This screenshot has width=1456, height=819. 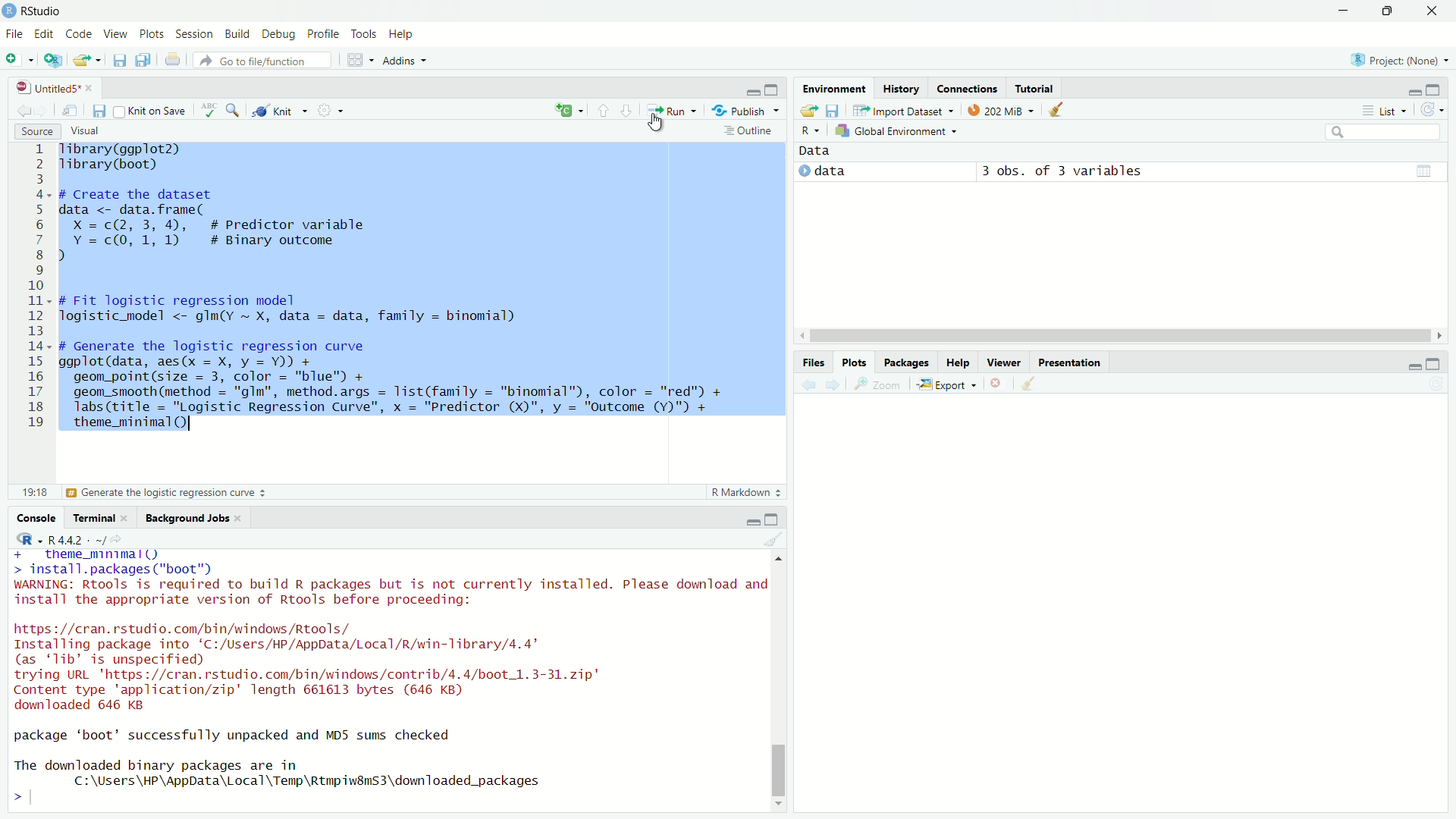 I want to click on Session, so click(x=195, y=34).